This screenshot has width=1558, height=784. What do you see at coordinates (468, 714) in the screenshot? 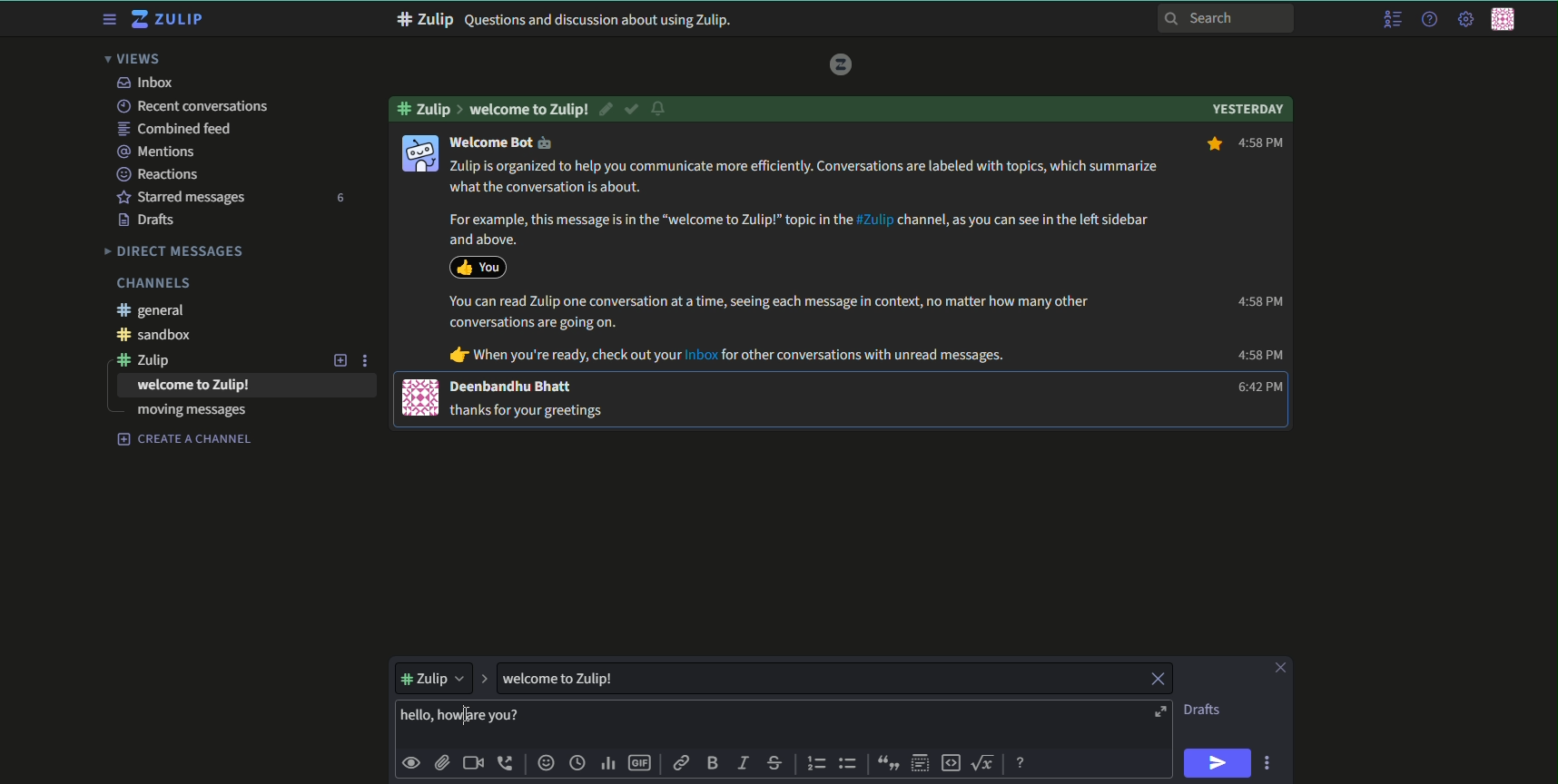
I see `text` at bounding box center [468, 714].